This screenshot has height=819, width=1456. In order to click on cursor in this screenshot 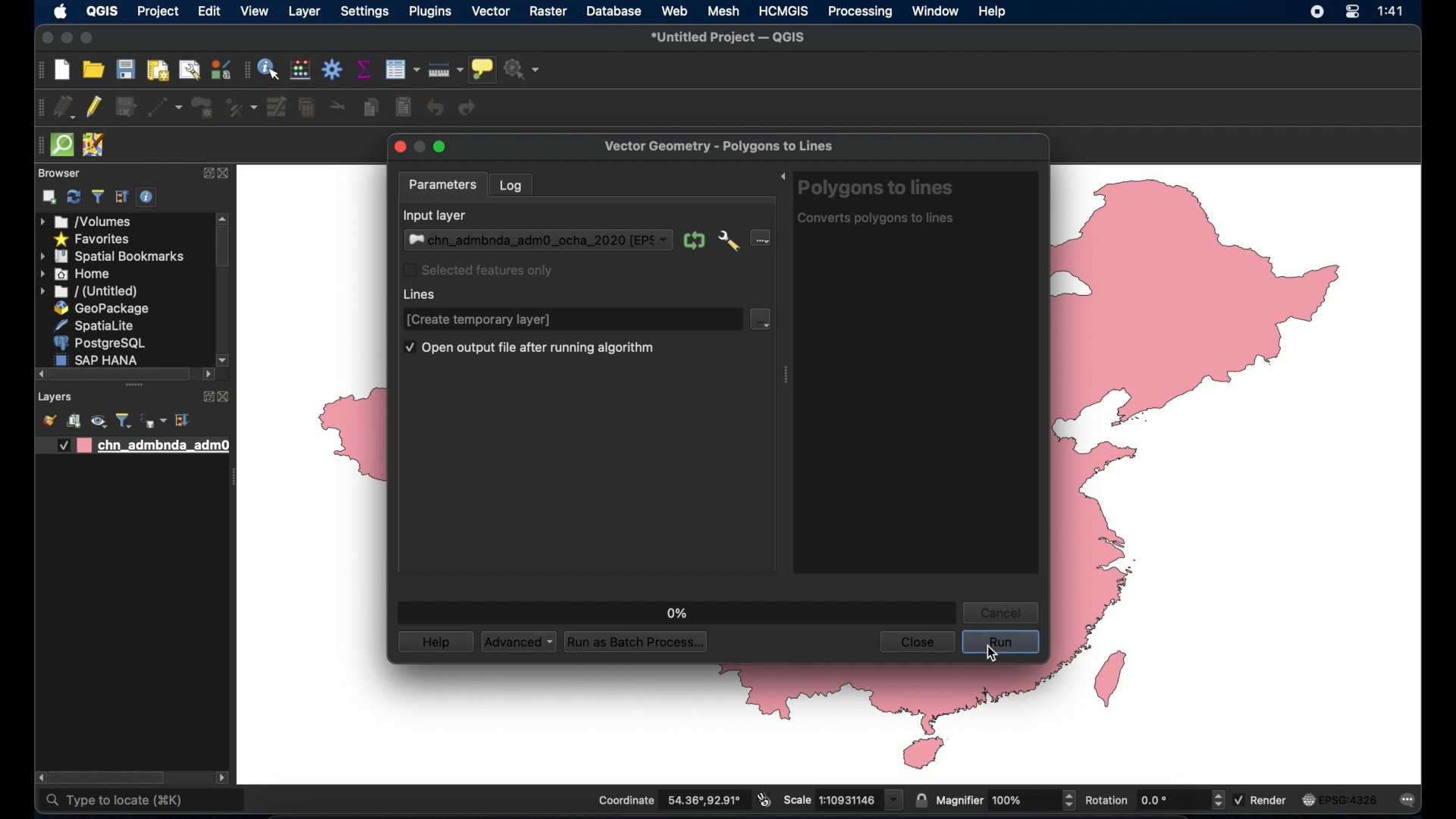, I will do `click(993, 654)`.